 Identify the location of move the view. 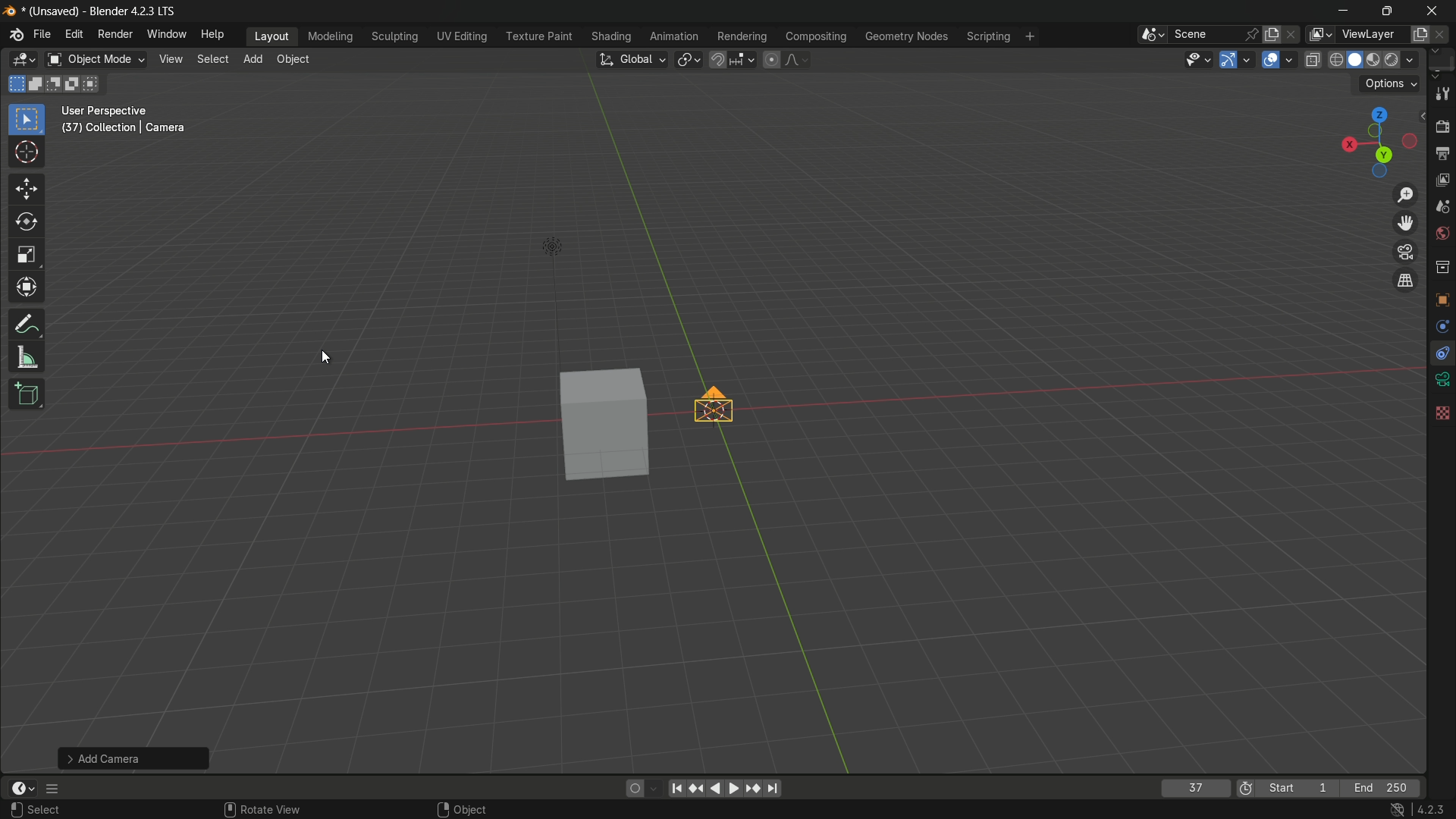
(1405, 224).